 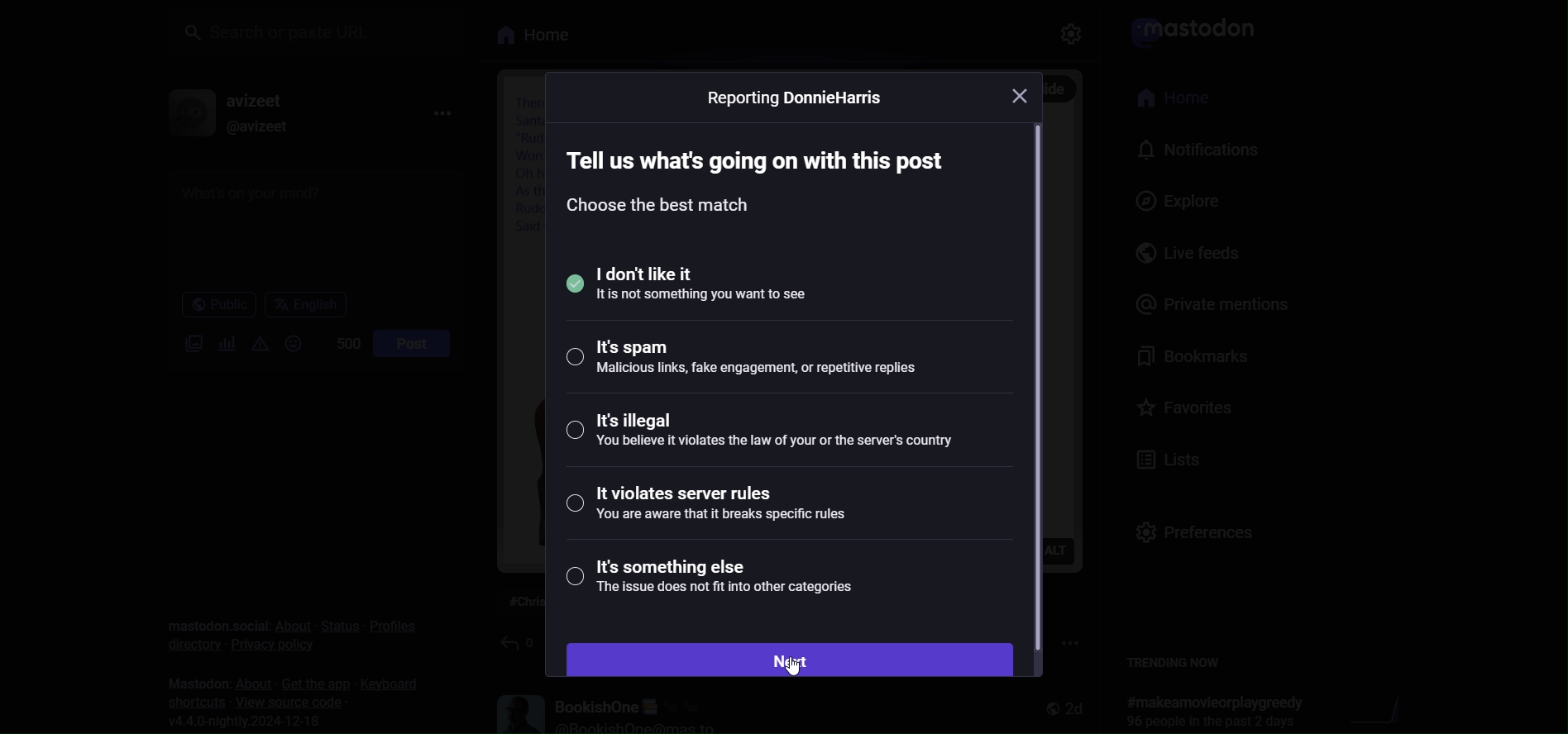 I want to click on bookmark, so click(x=1187, y=356).